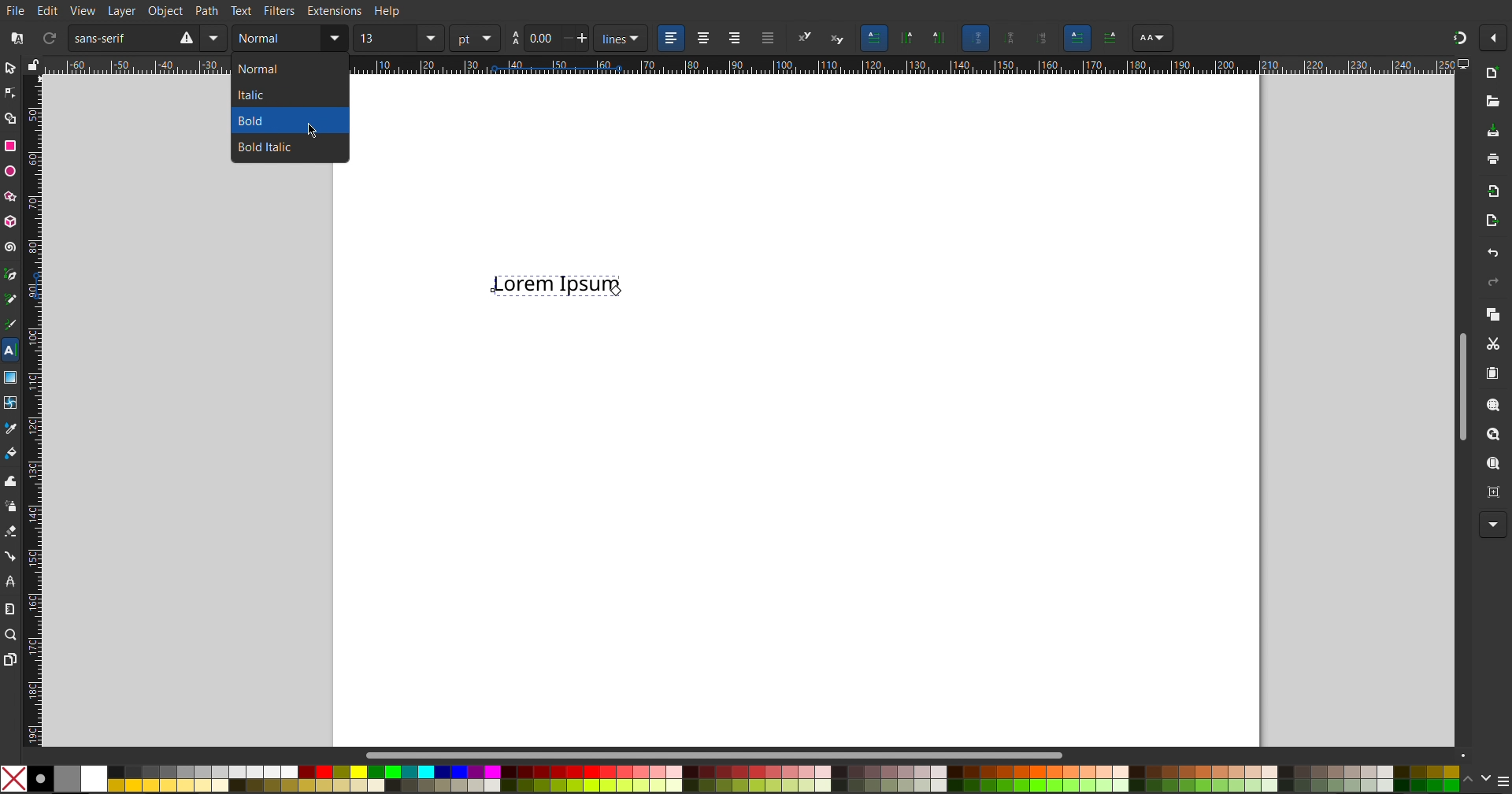 This screenshot has width=1512, height=794. What do you see at coordinates (11, 399) in the screenshot?
I see `Mesh Tool` at bounding box center [11, 399].